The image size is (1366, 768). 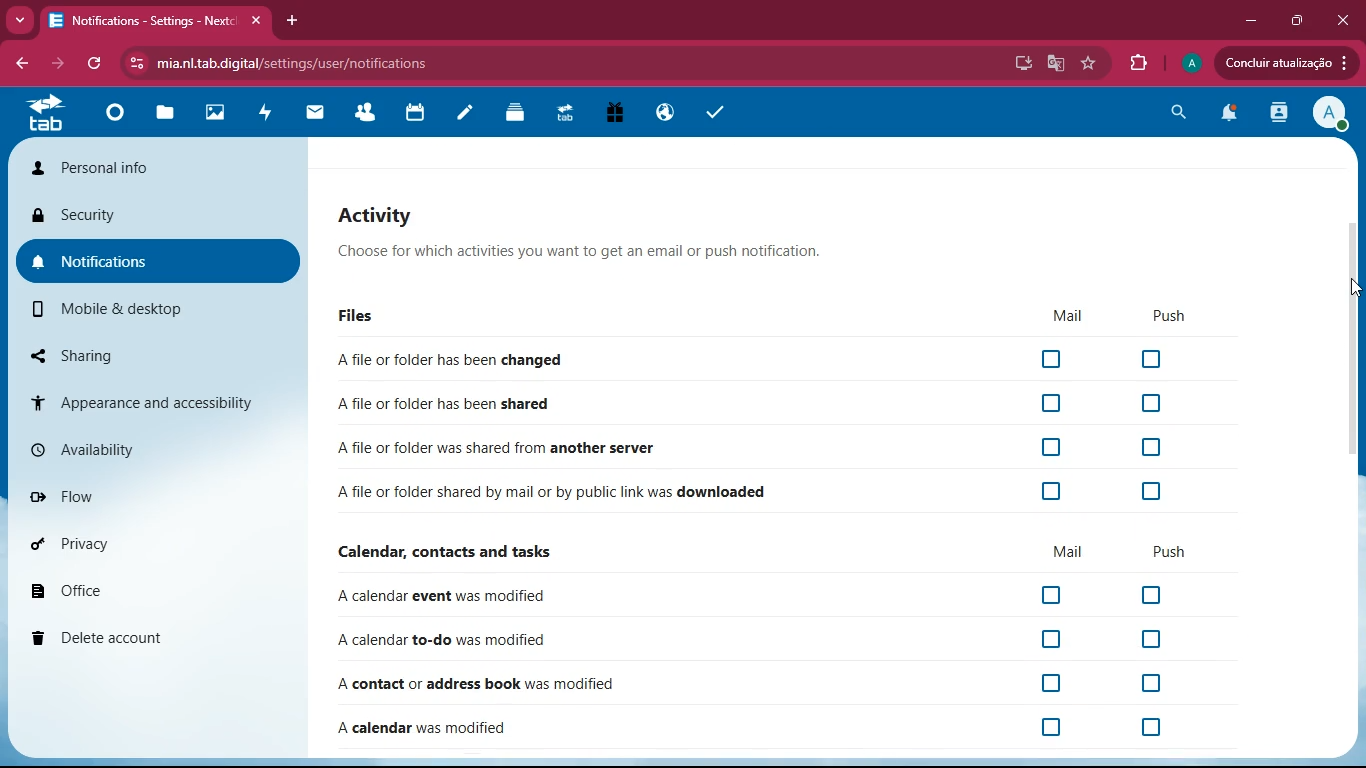 What do you see at coordinates (1050, 360) in the screenshot?
I see `checkbox` at bounding box center [1050, 360].